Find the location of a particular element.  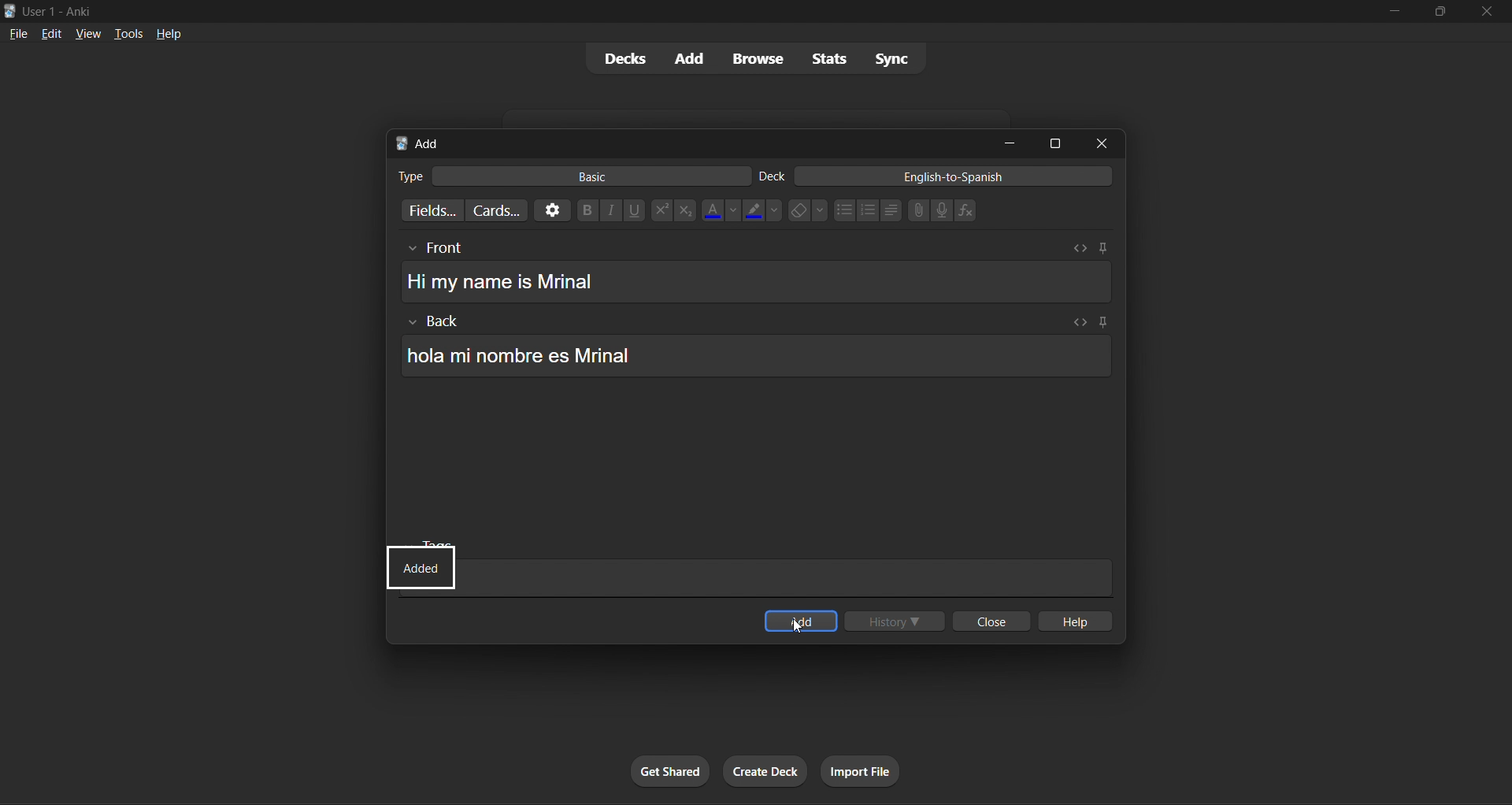

close is located at coordinates (1106, 143).